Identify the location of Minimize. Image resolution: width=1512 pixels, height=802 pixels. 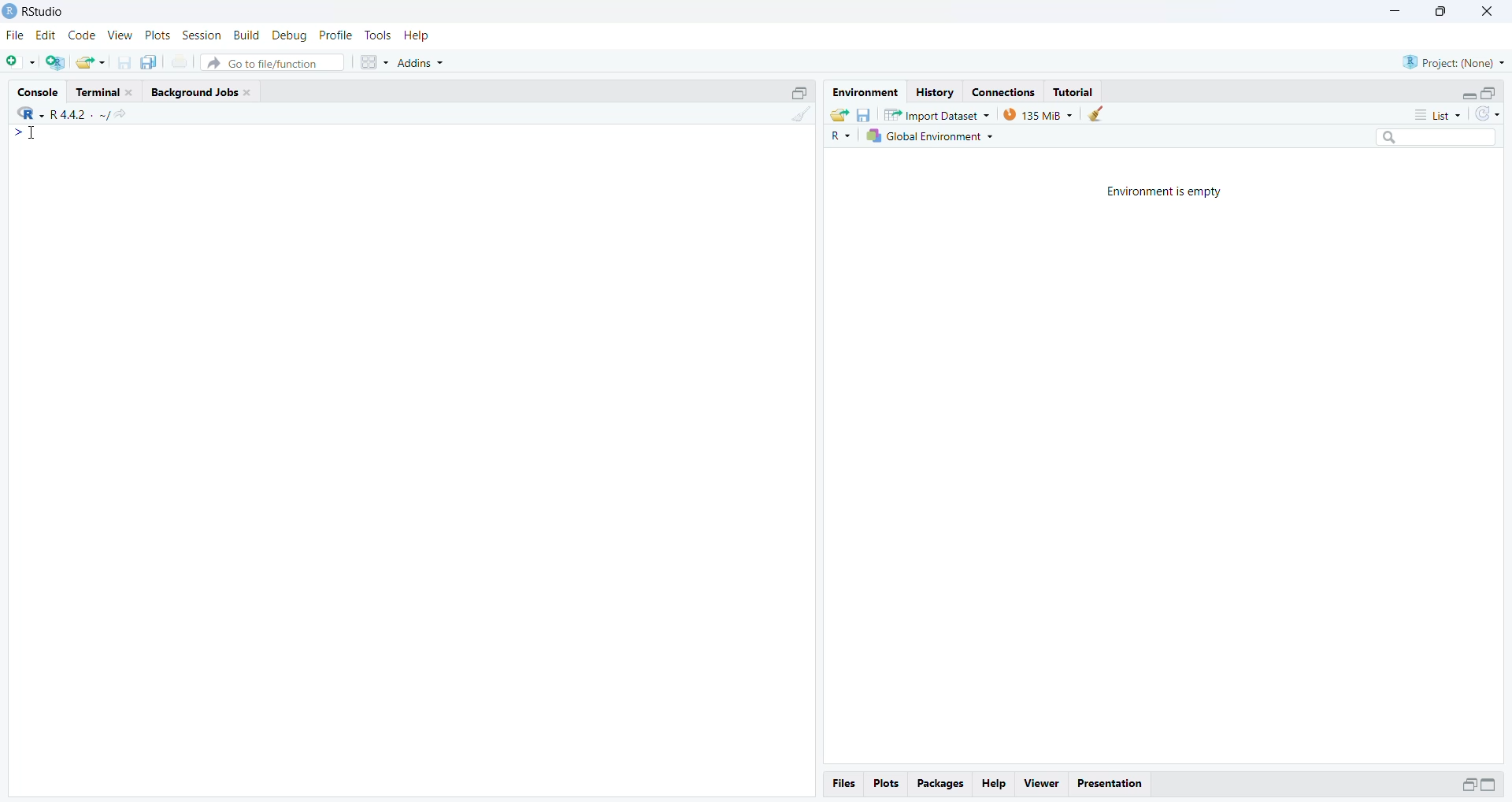
(1466, 785).